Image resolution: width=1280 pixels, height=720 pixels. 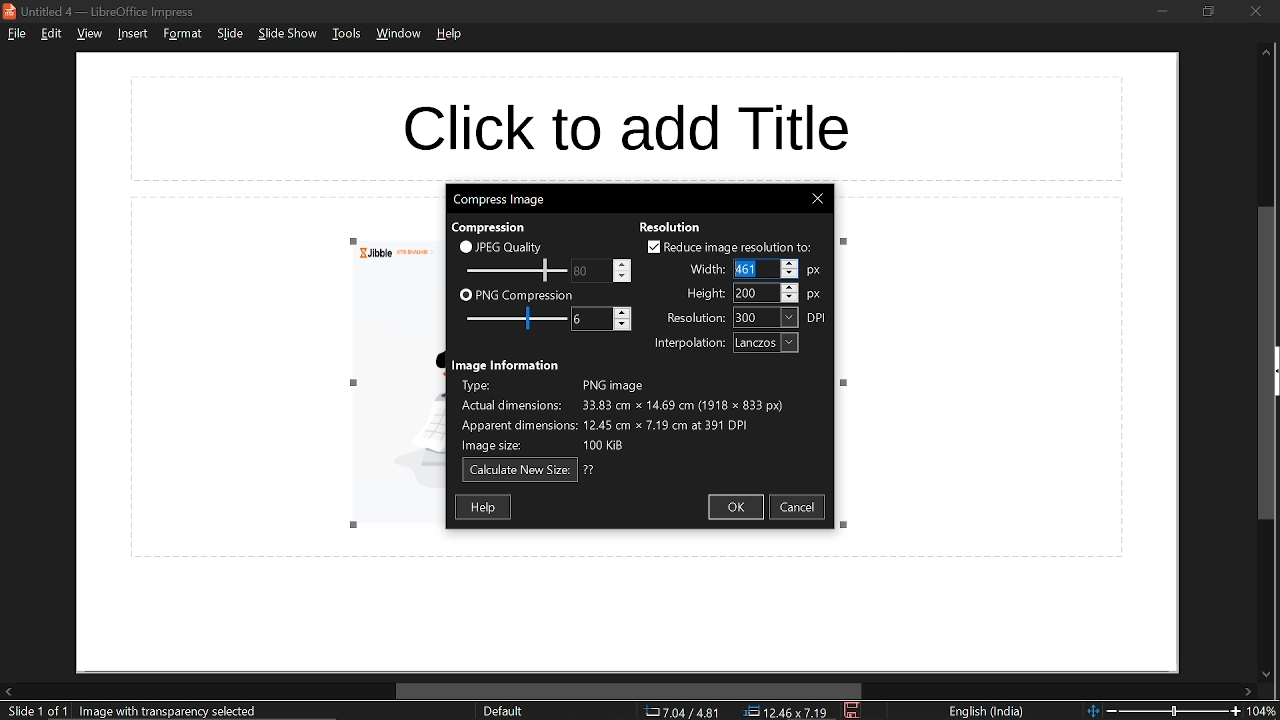 What do you see at coordinates (582, 271) in the screenshot?
I see `change JPEG quality` at bounding box center [582, 271].